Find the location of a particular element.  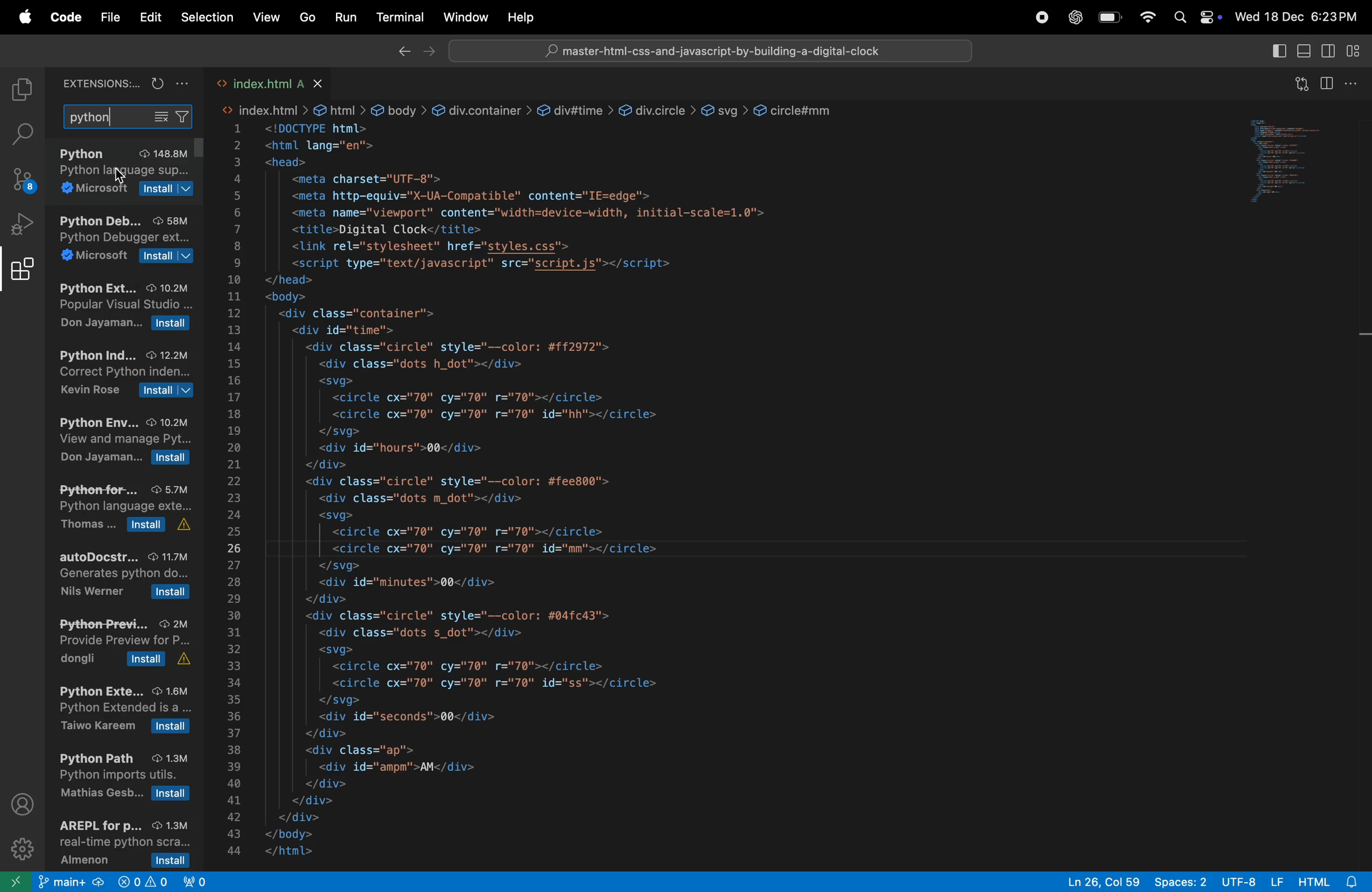

spaces 2 is located at coordinates (1178, 881).